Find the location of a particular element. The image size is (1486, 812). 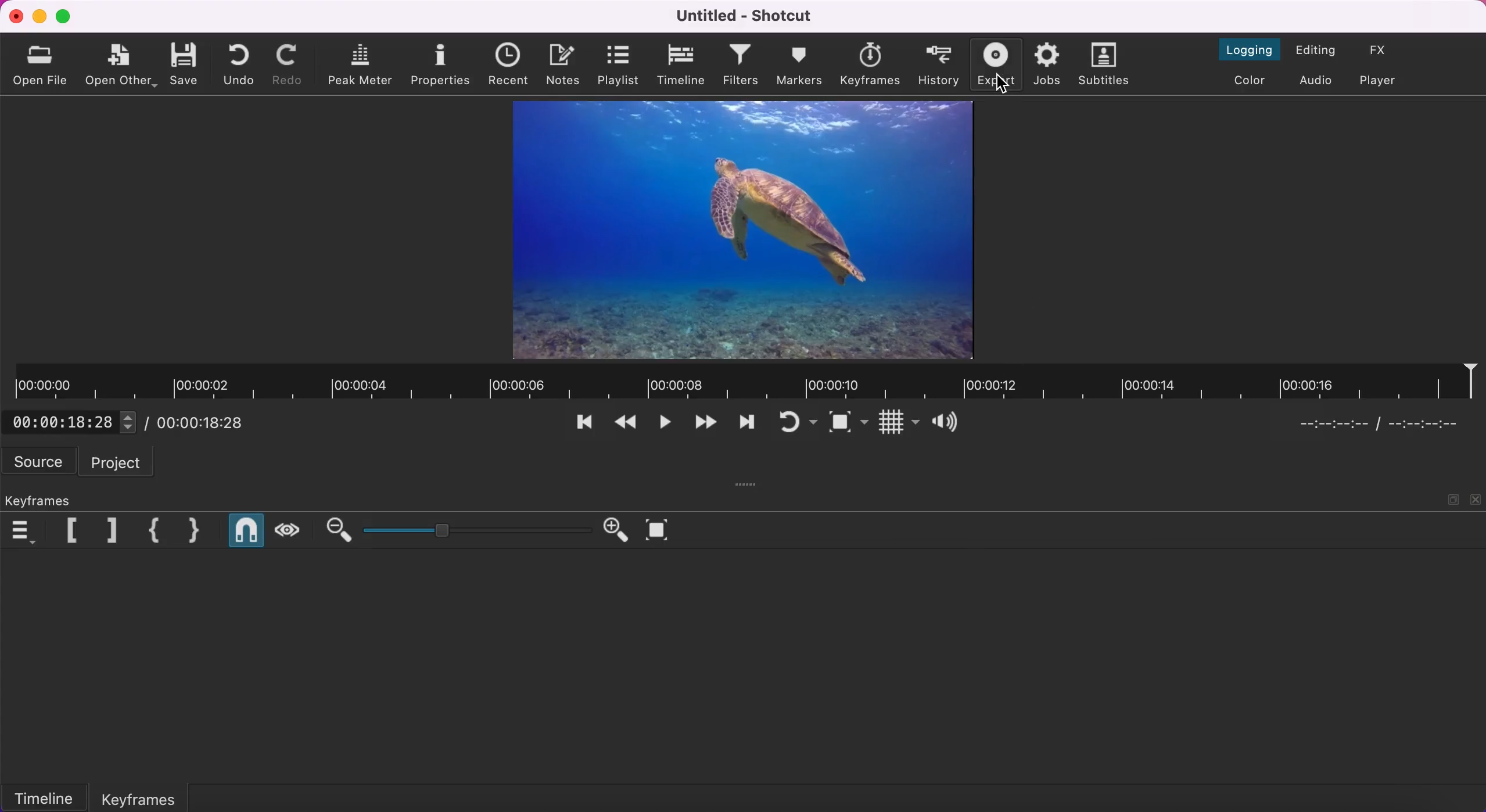

subtitles is located at coordinates (1107, 66).